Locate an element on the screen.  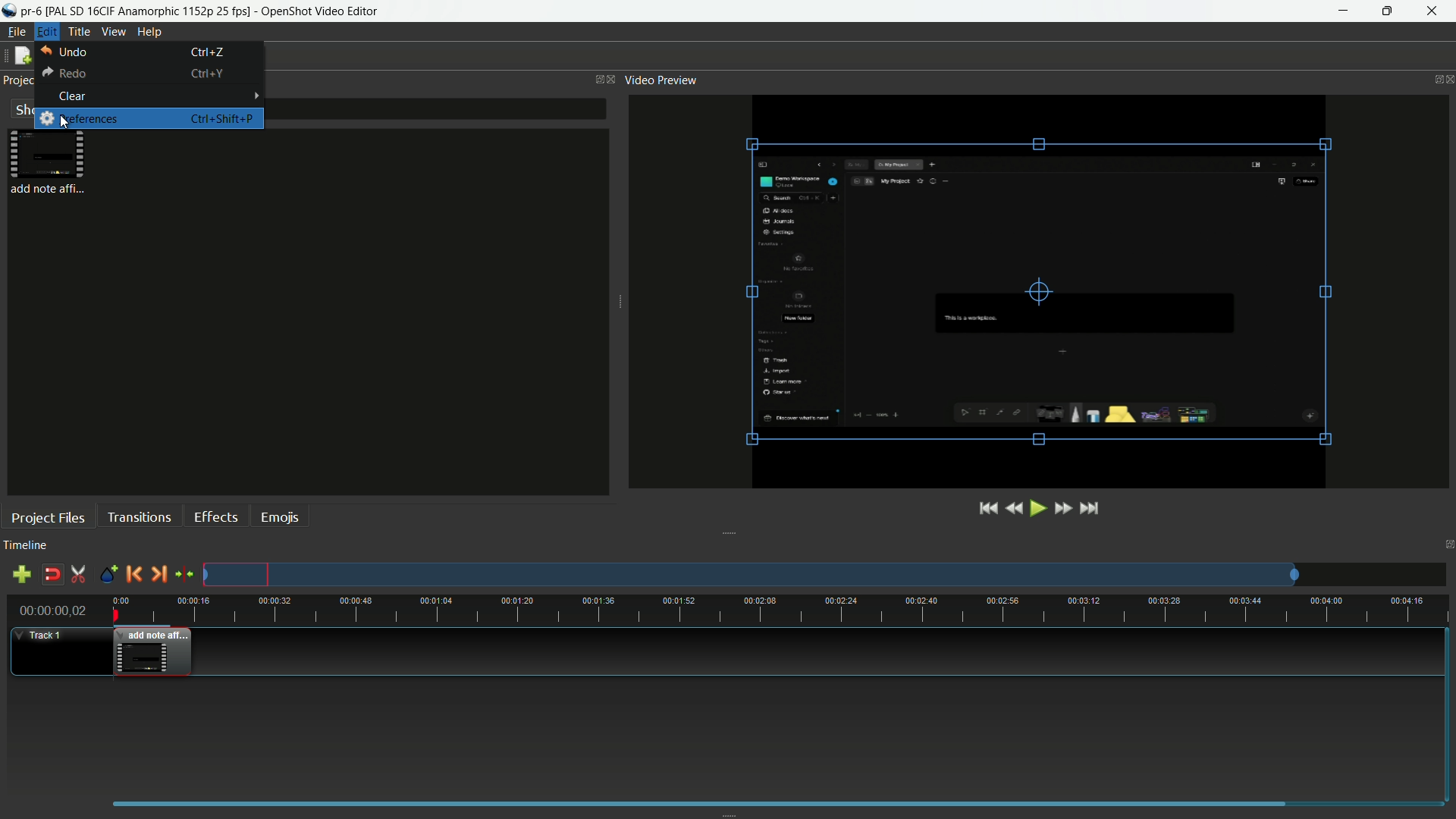
transitions is located at coordinates (139, 518).